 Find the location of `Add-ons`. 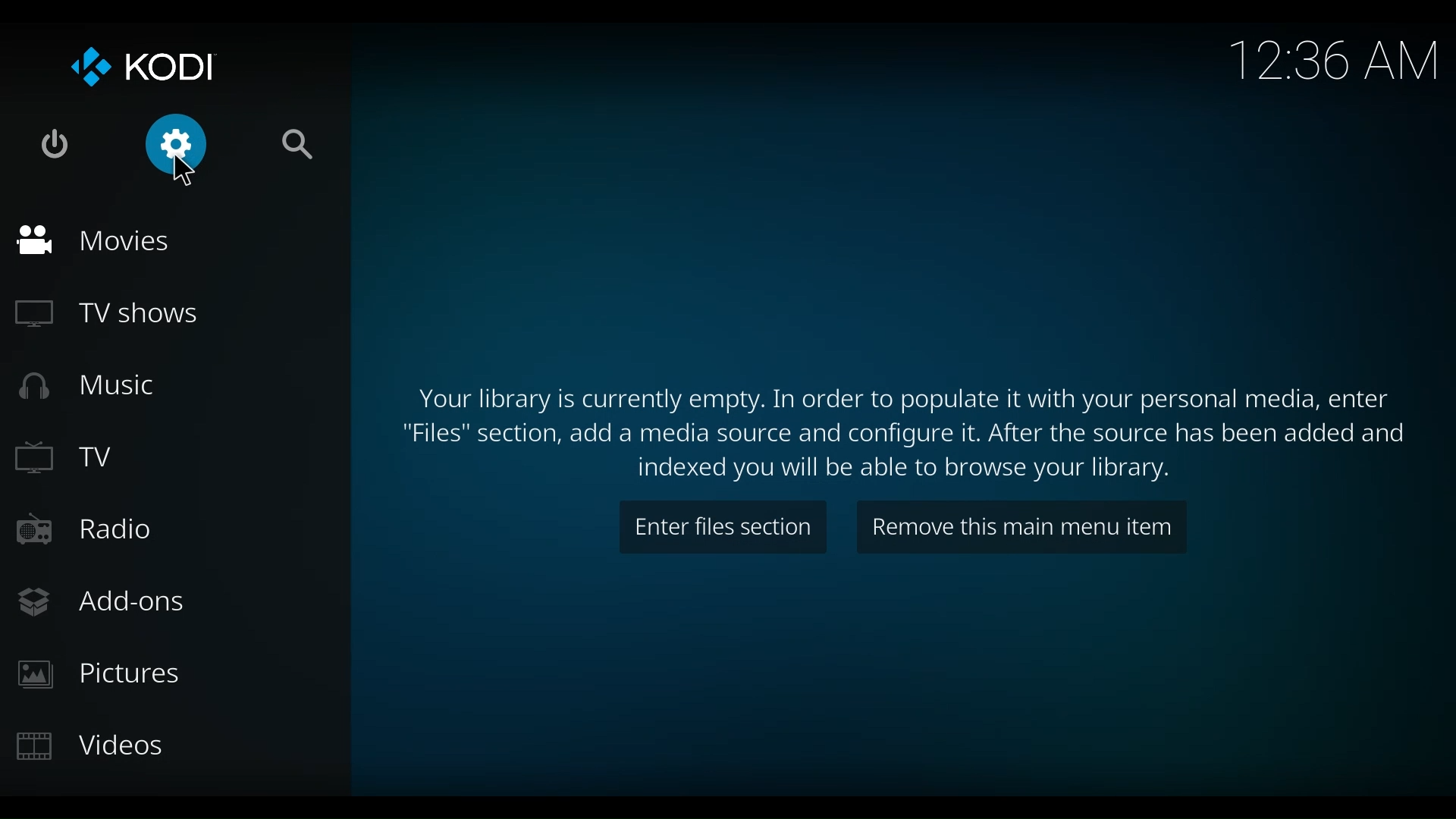

Add-ons is located at coordinates (102, 602).